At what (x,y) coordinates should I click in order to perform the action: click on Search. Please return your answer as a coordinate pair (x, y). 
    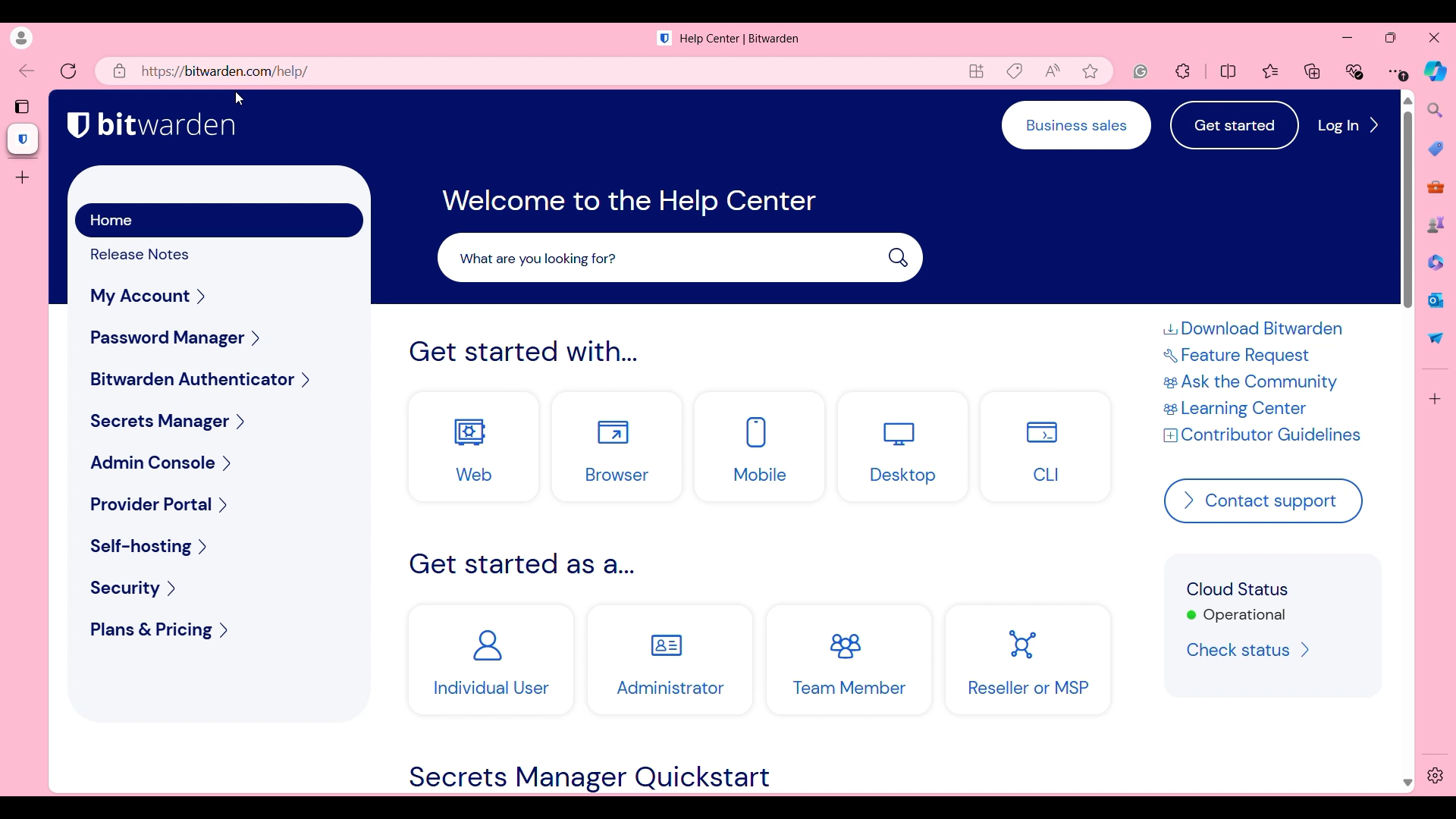
    Looking at the image, I should click on (1436, 111).